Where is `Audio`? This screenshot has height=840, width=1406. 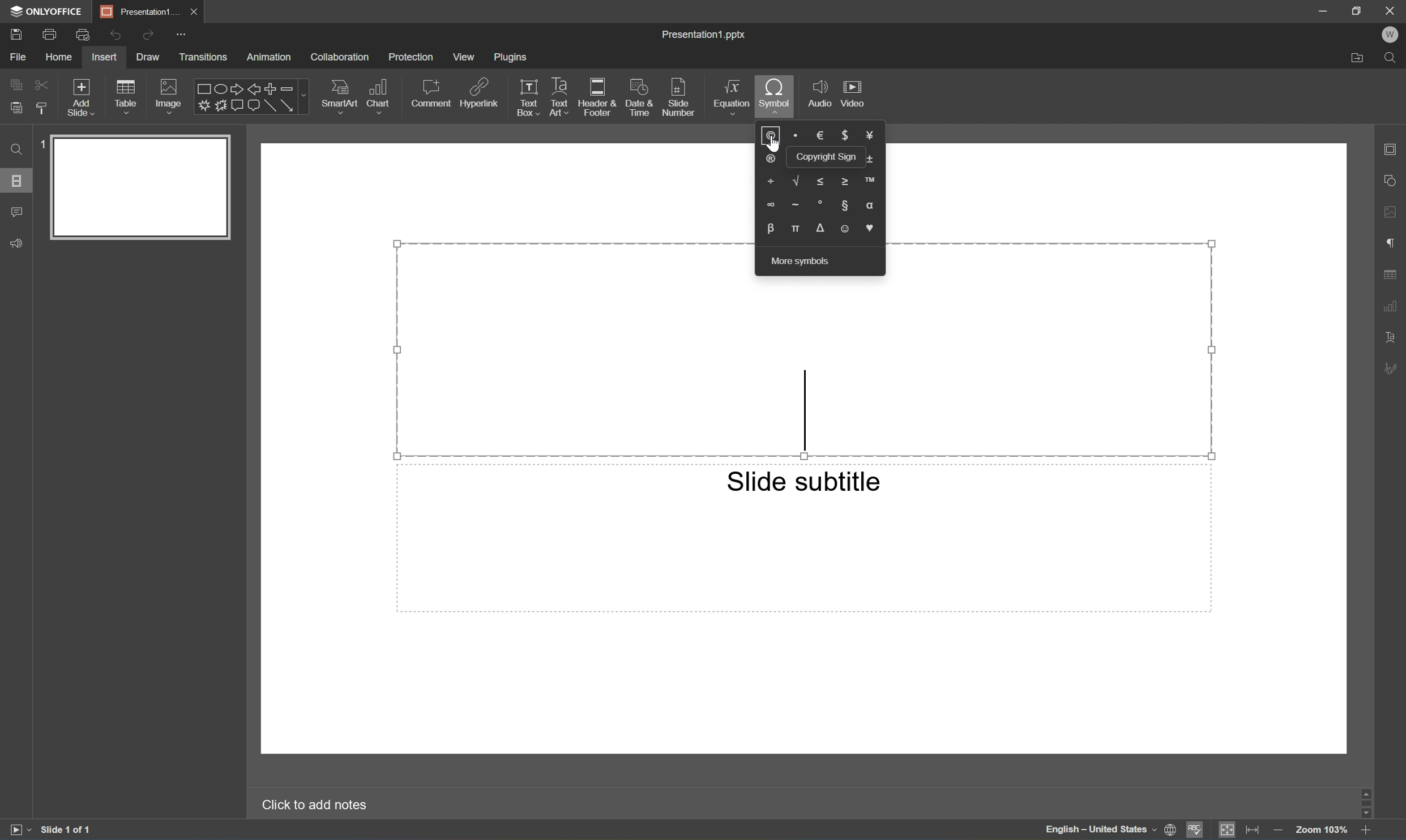
Audio is located at coordinates (818, 93).